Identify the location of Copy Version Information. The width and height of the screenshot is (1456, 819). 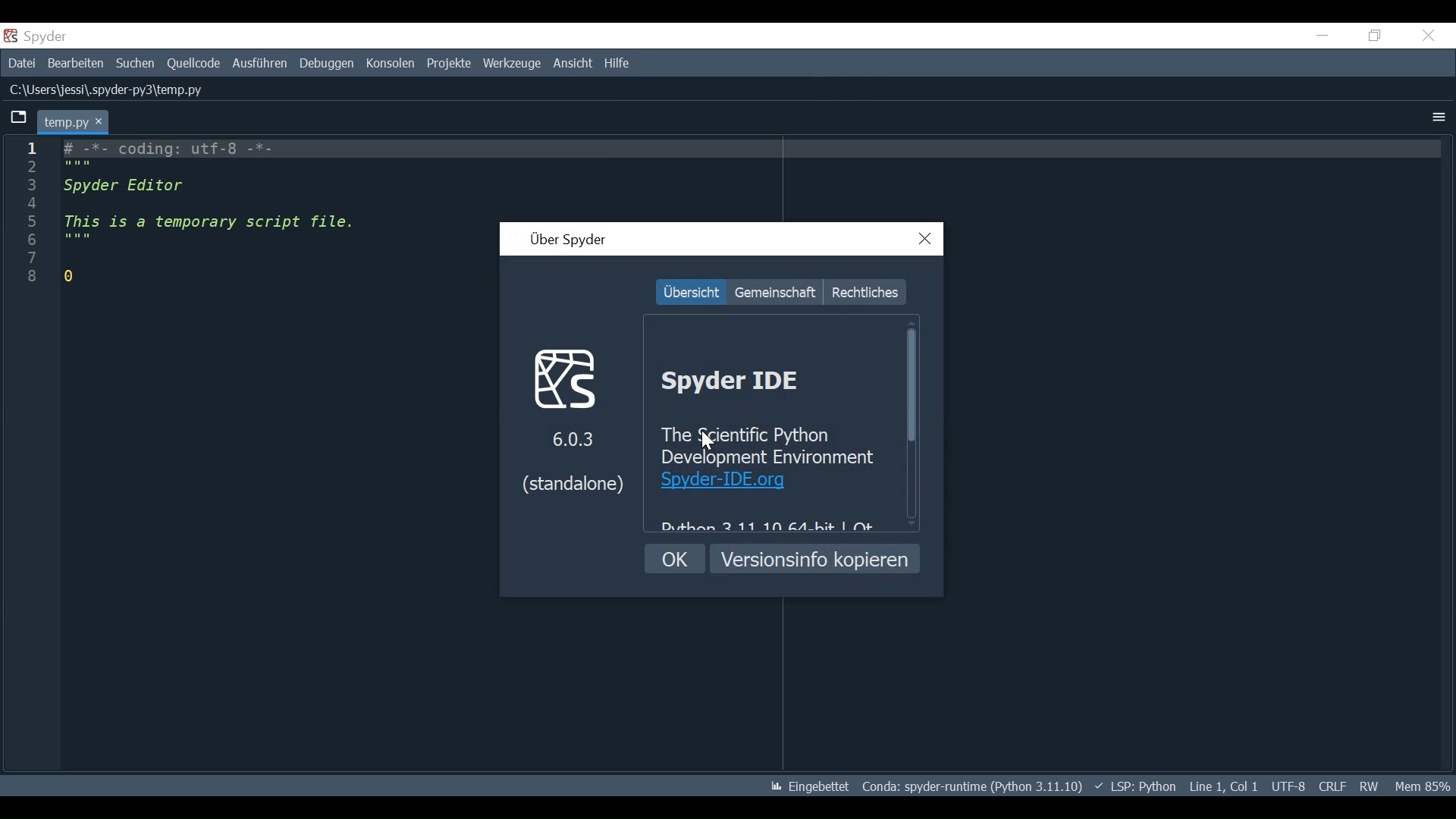
(815, 558).